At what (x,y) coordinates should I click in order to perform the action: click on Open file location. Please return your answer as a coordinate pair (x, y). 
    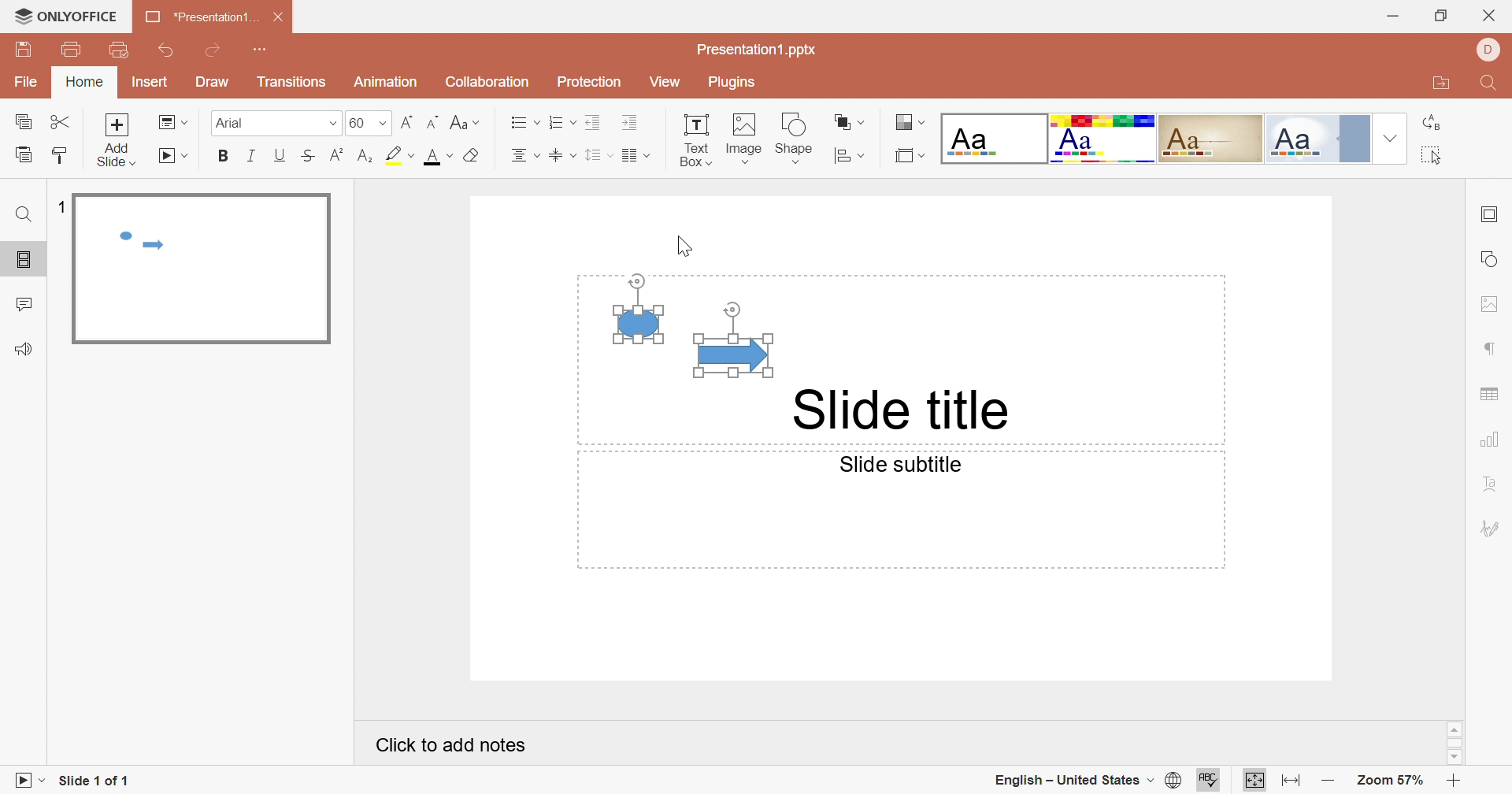
    Looking at the image, I should click on (1437, 84).